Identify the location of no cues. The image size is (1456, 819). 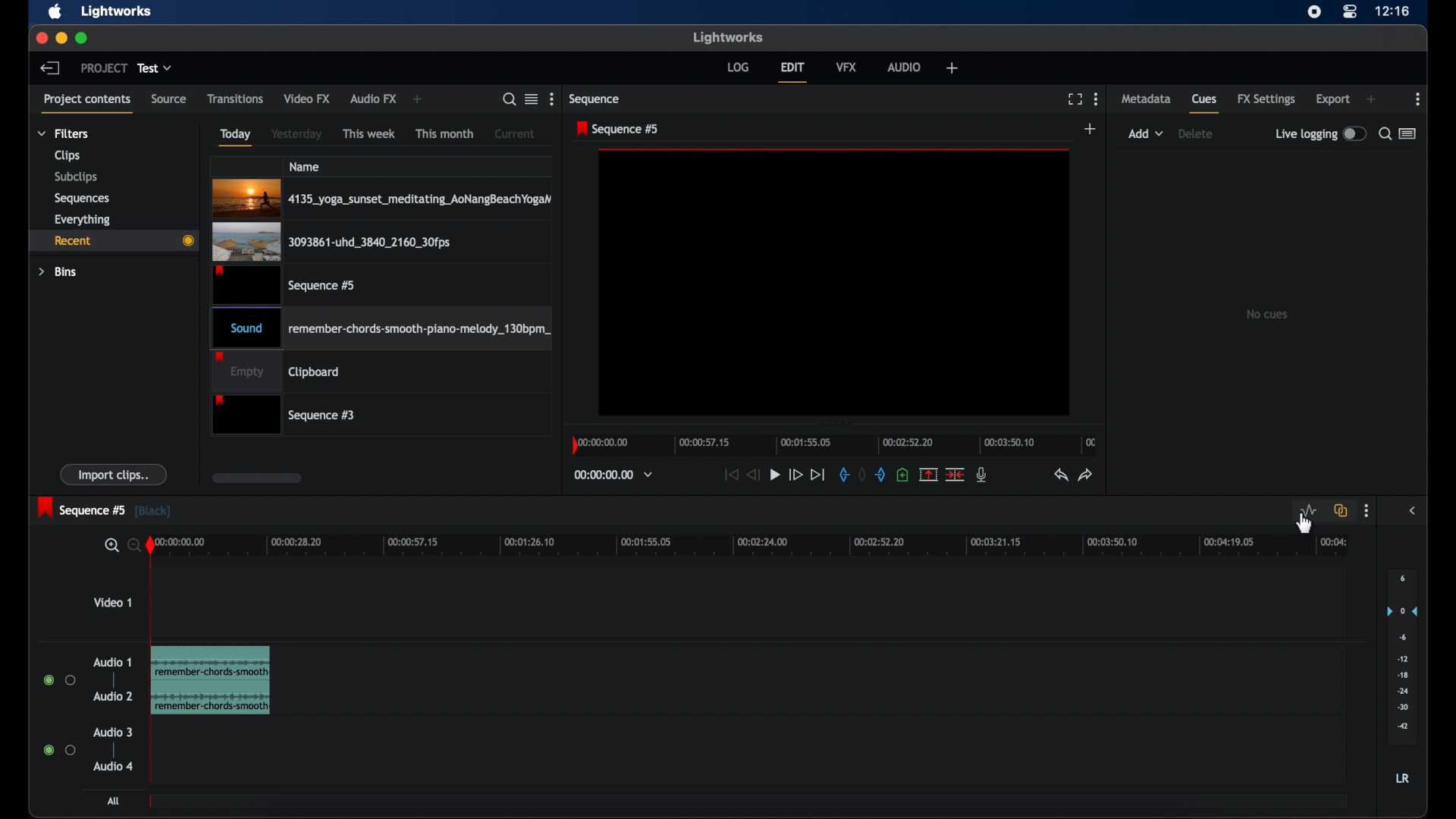
(1266, 314).